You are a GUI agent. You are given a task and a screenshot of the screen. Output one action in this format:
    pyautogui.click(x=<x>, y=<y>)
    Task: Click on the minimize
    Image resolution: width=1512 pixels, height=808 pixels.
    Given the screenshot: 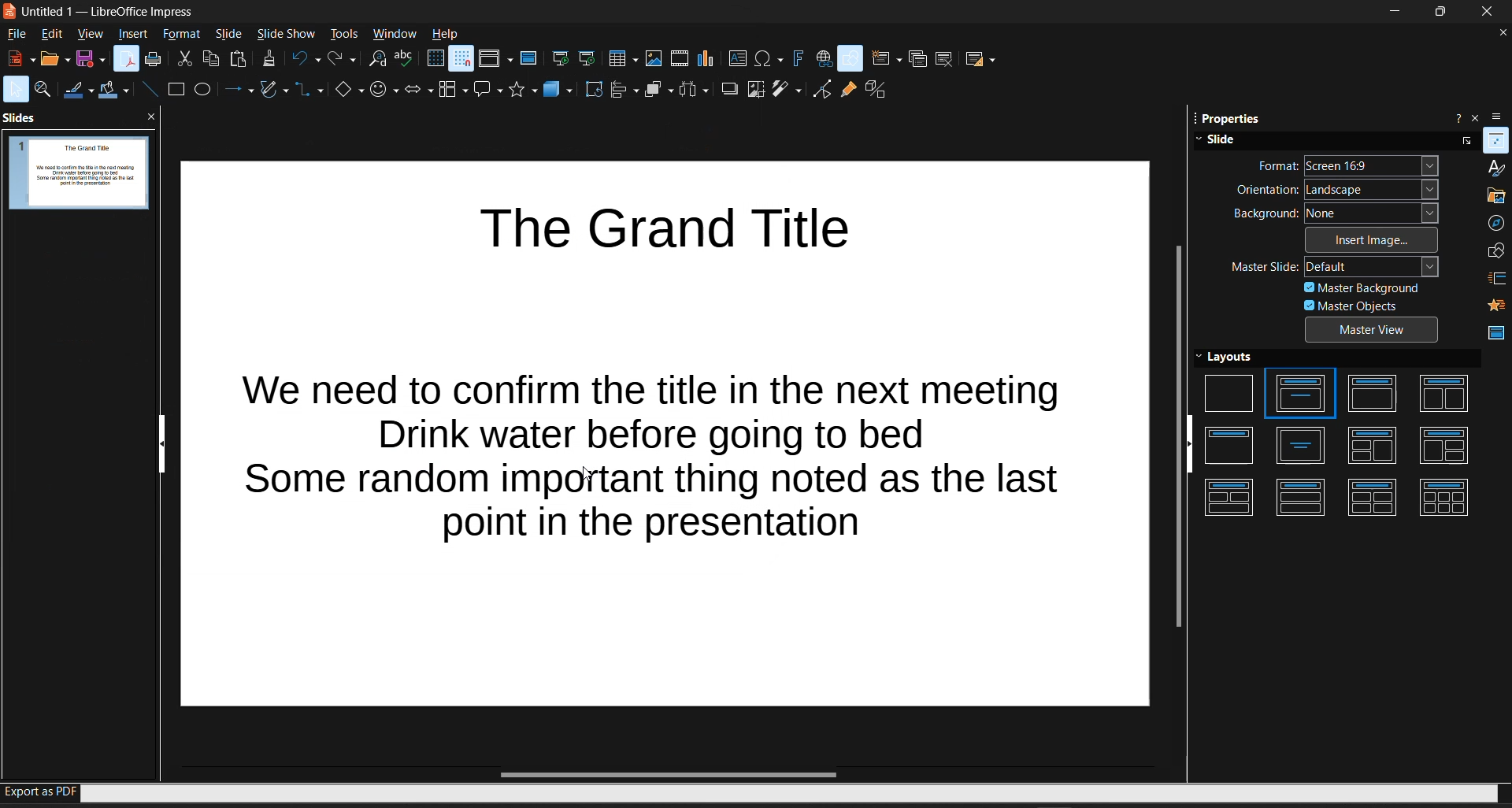 What is the action you would take?
    pyautogui.click(x=1393, y=12)
    